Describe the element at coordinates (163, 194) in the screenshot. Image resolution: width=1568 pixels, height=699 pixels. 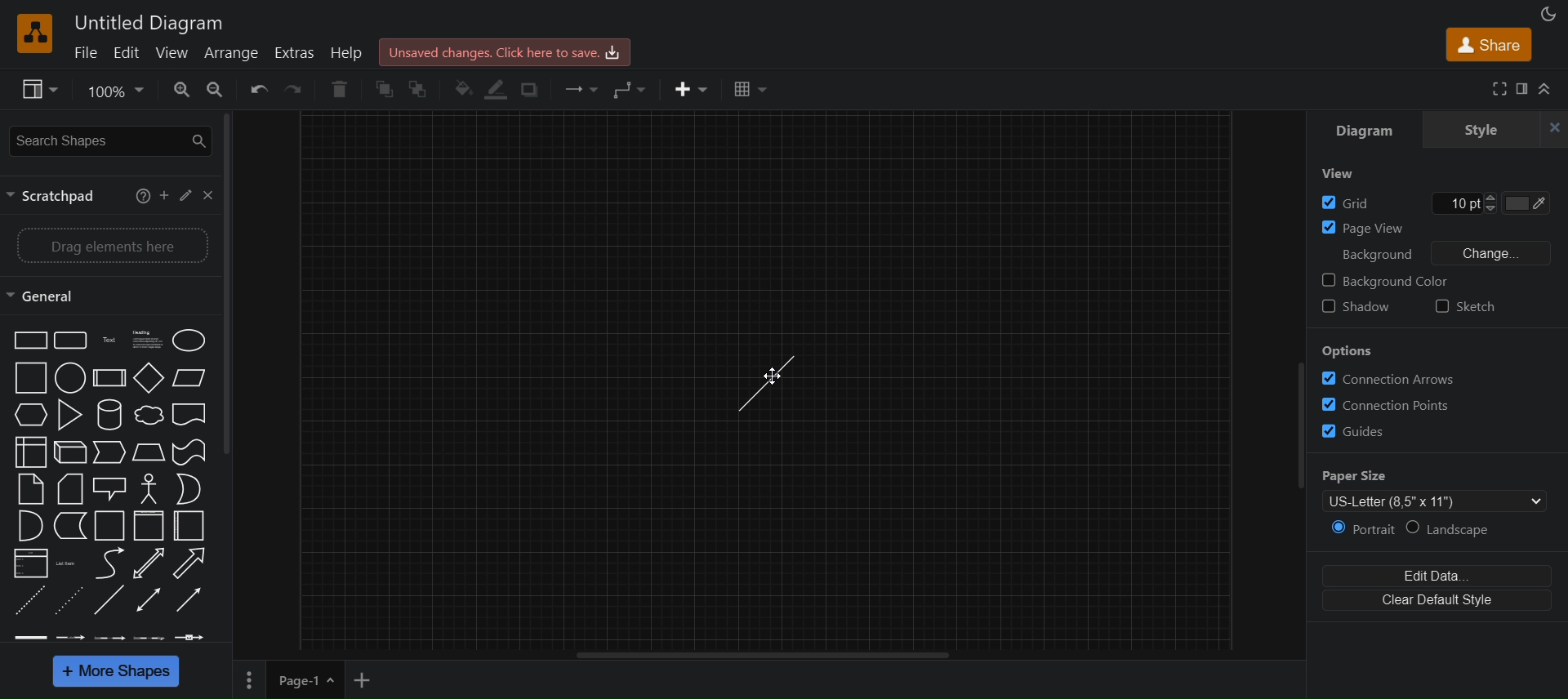
I see `add` at that location.